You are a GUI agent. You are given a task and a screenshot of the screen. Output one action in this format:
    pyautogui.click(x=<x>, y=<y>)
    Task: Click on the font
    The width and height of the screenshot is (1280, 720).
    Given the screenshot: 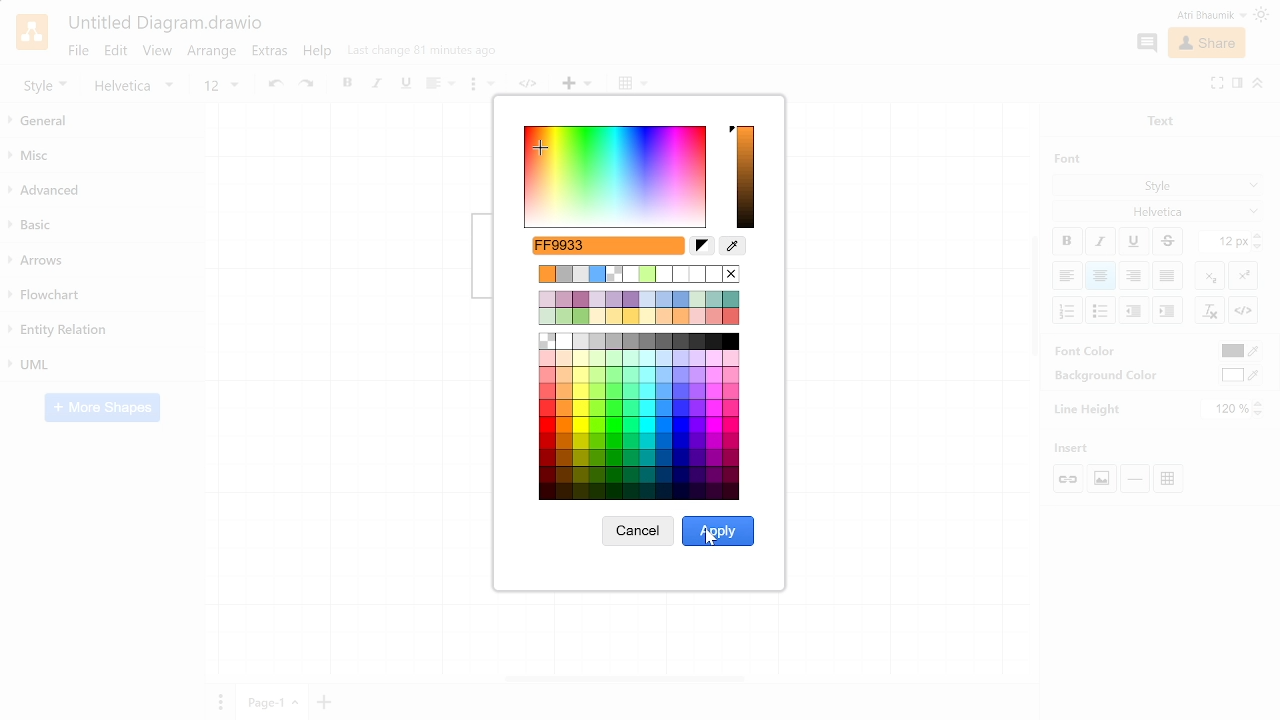 What is the action you would take?
    pyautogui.click(x=1062, y=158)
    